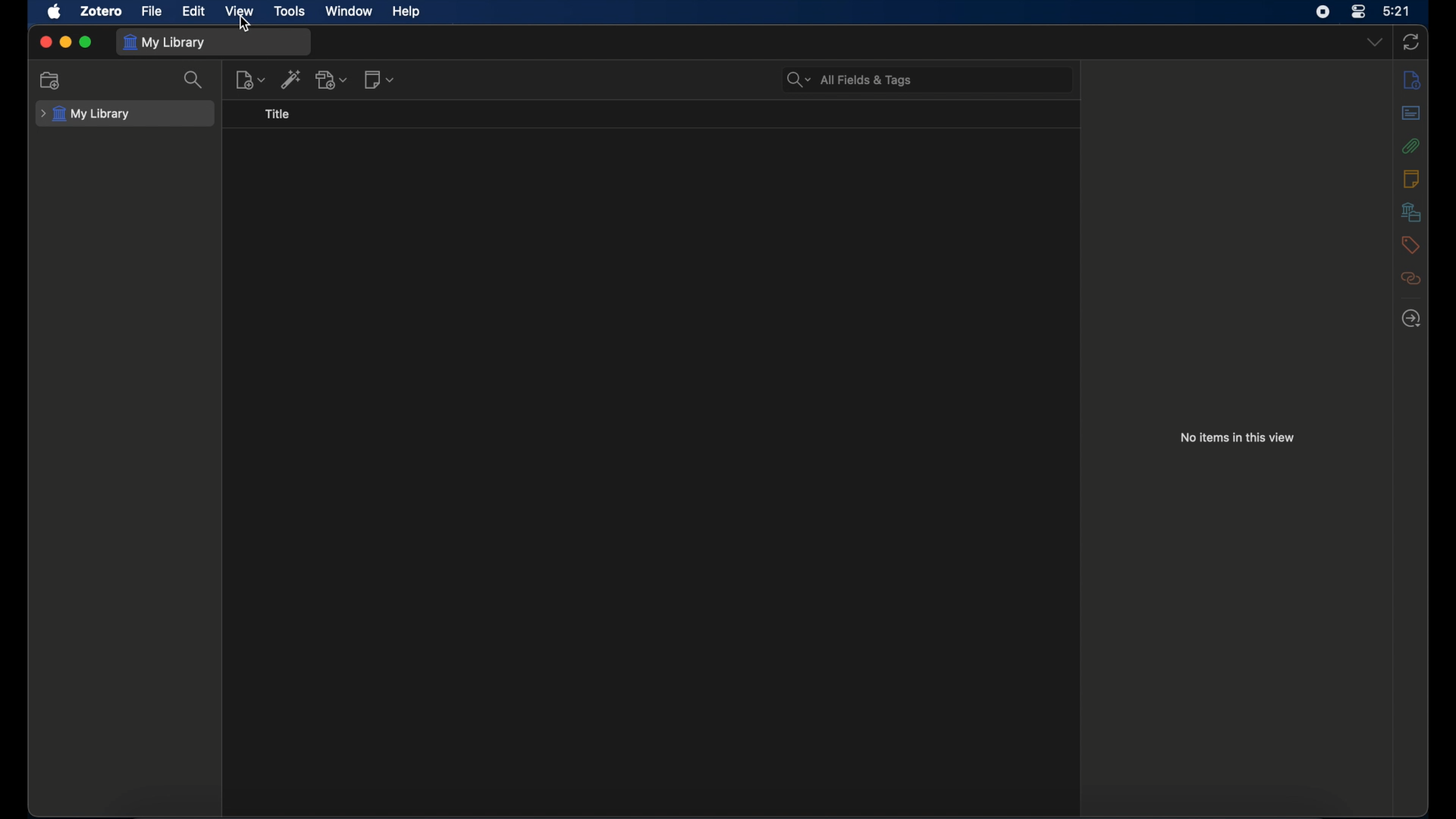 The height and width of the screenshot is (819, 1456). What do you see at coordinates (1411, 79) in the screenshot?
I see `info` at bounding box center [1411, 79].